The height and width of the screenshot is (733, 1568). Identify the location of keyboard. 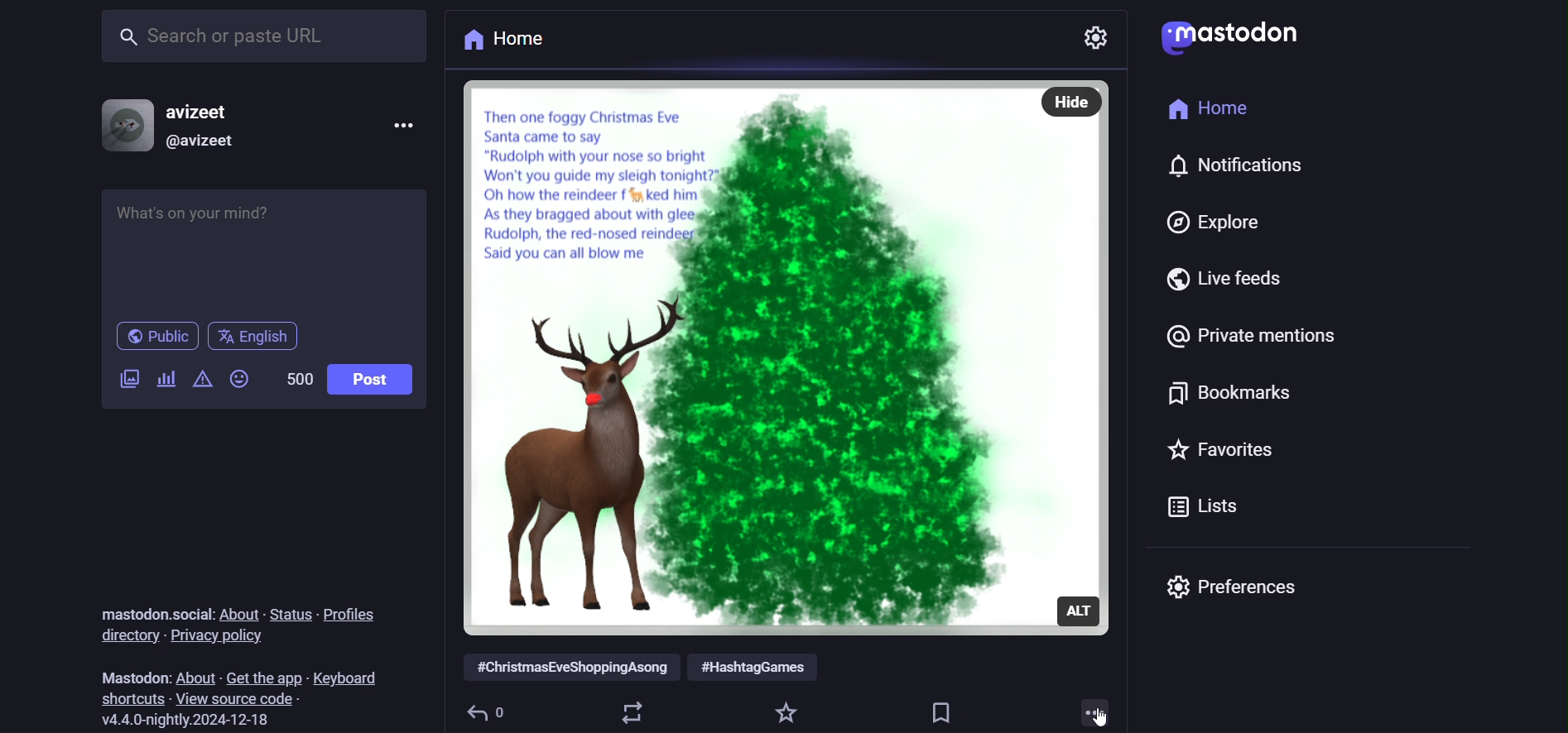
(346, 677).